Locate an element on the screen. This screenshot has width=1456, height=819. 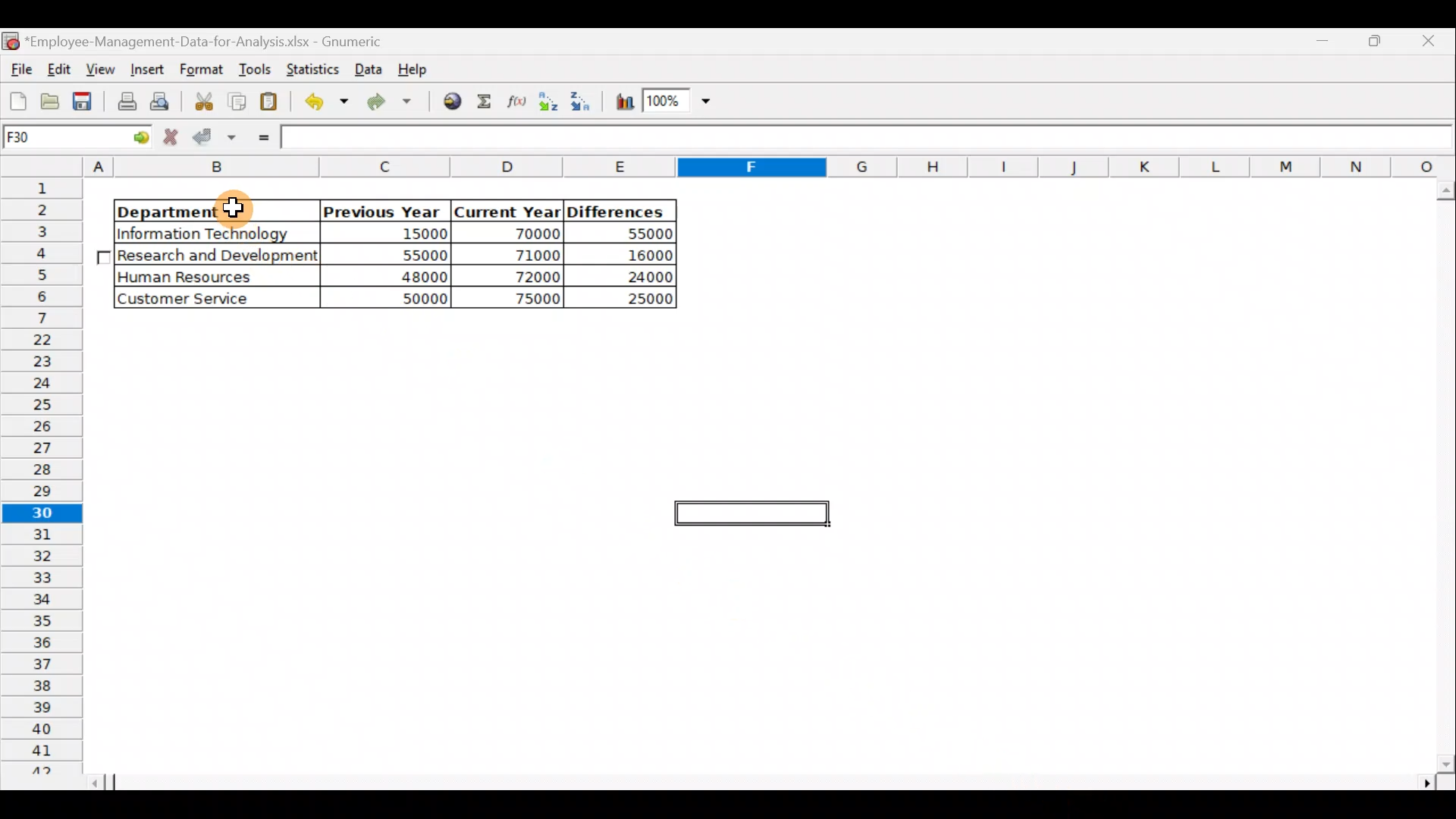
Previous Year is located at coordinates (382, 209).